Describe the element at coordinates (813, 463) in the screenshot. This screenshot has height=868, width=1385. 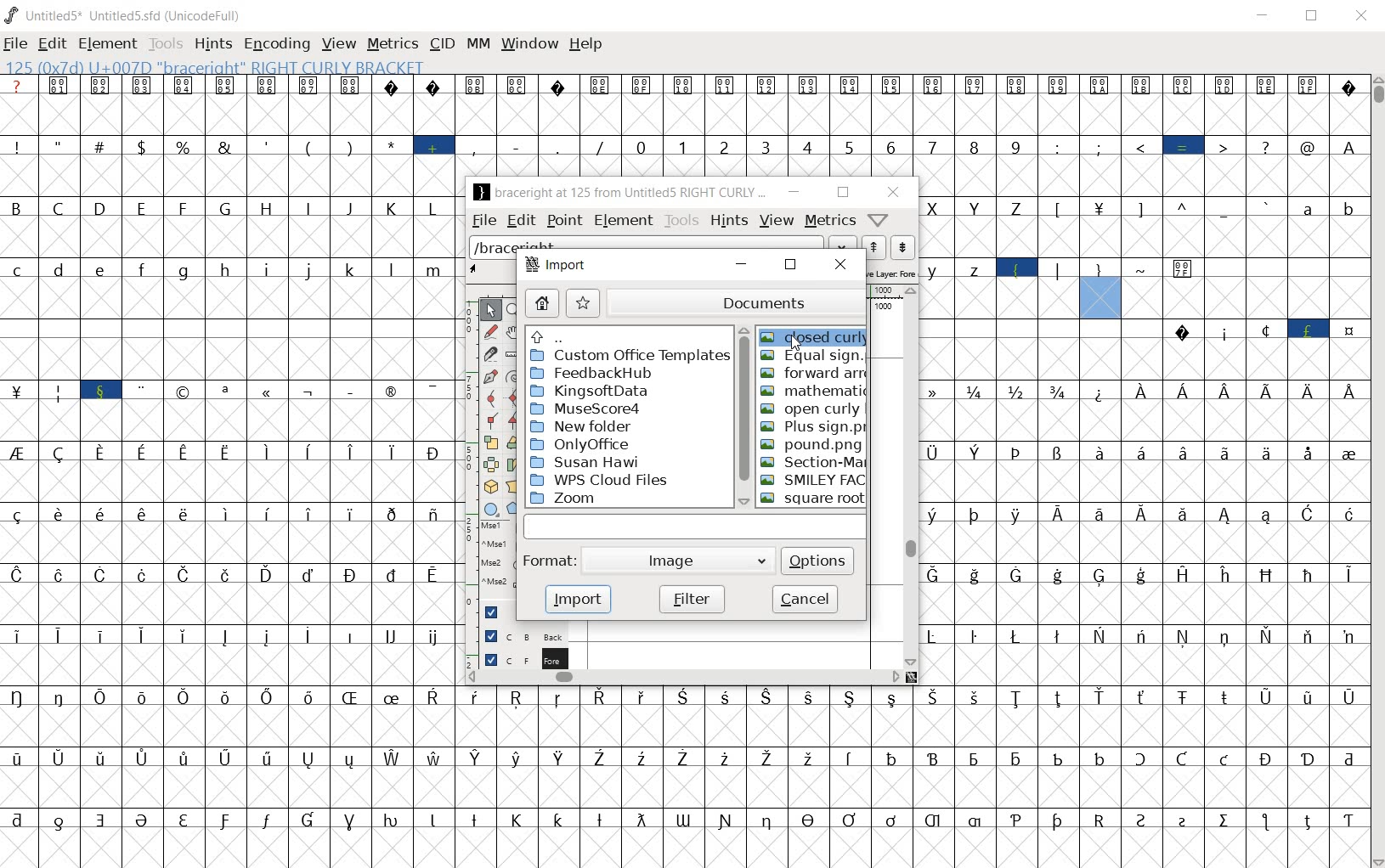
I see `Section-Mark` at that location.